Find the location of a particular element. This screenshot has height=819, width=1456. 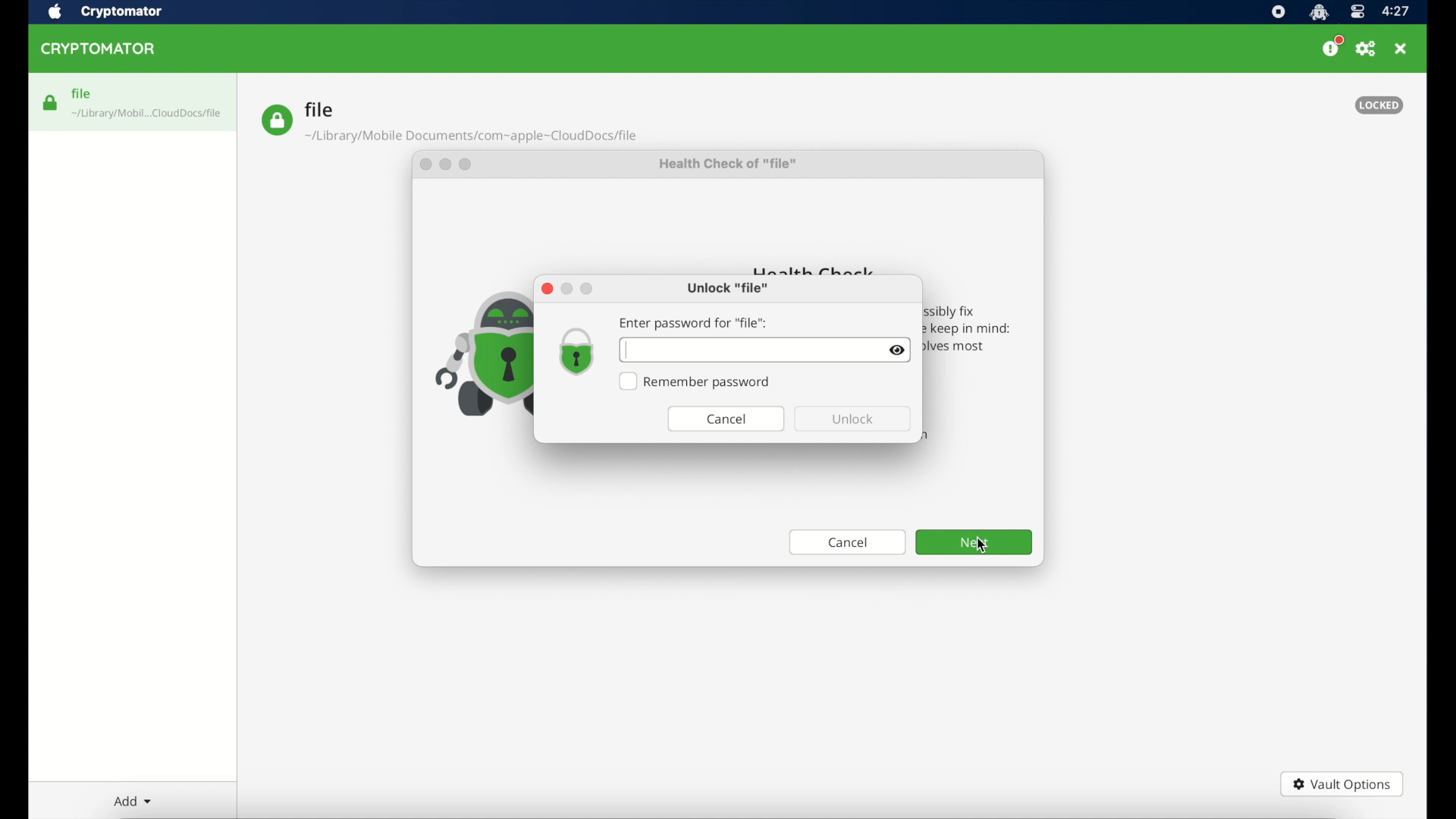

minimize is located at coordinates (567, 288).